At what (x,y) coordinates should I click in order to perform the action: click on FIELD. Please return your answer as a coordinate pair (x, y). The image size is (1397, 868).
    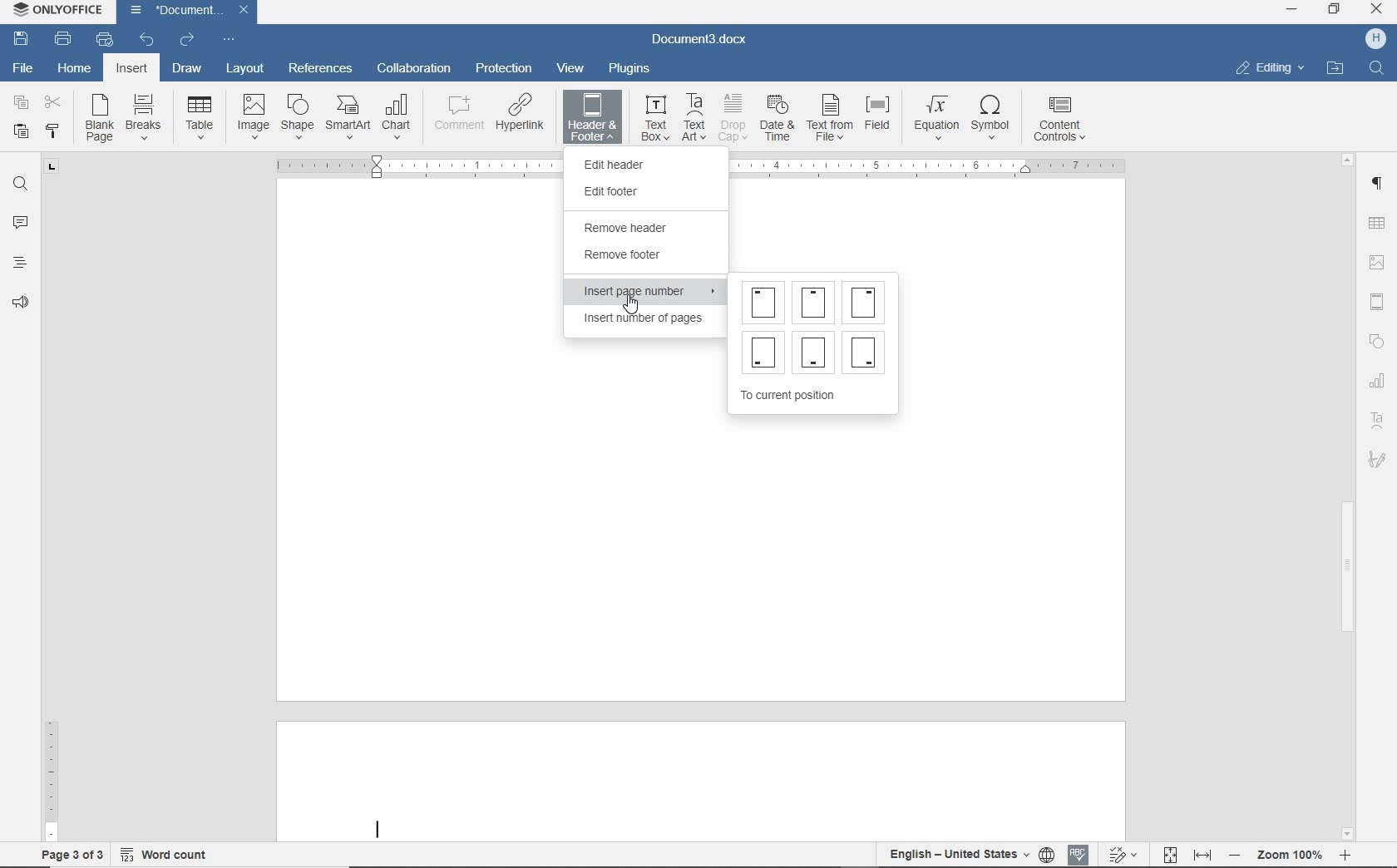
    Looking at the image, I should click on (882, 118).